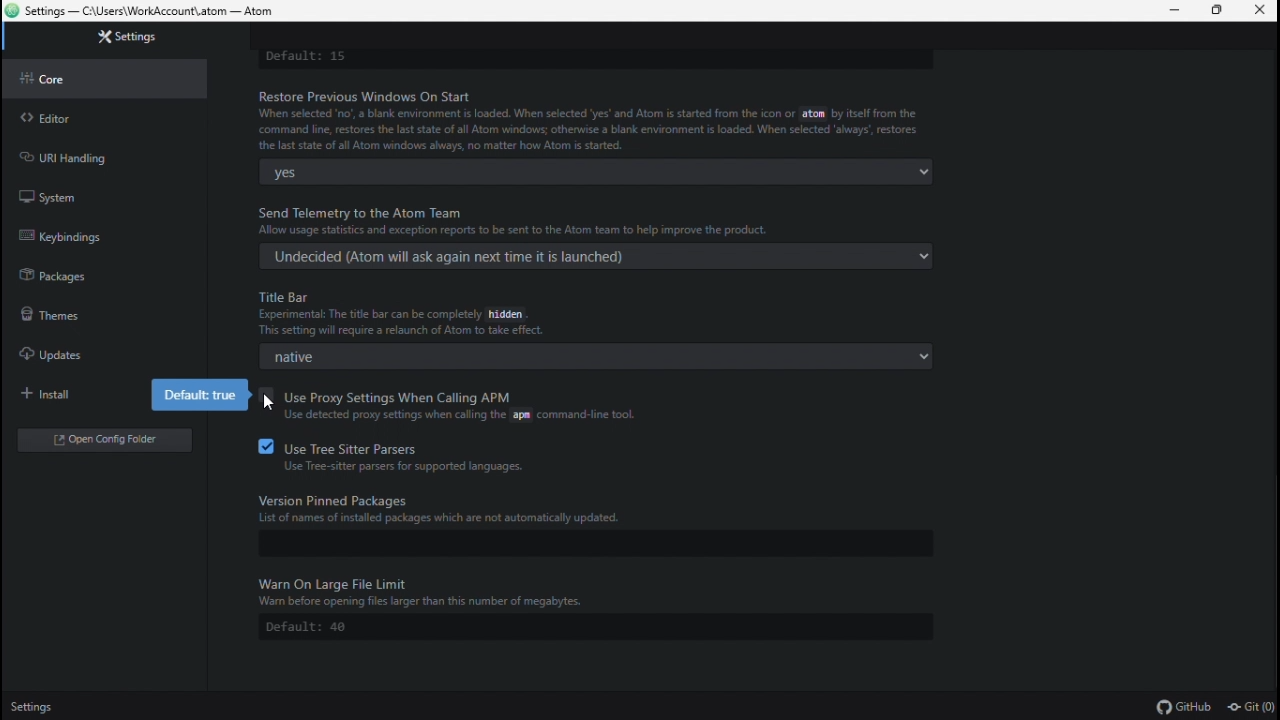 The width and height of the screenshot is (1280, 720). I want to click on Core settings, so click(102, 79).